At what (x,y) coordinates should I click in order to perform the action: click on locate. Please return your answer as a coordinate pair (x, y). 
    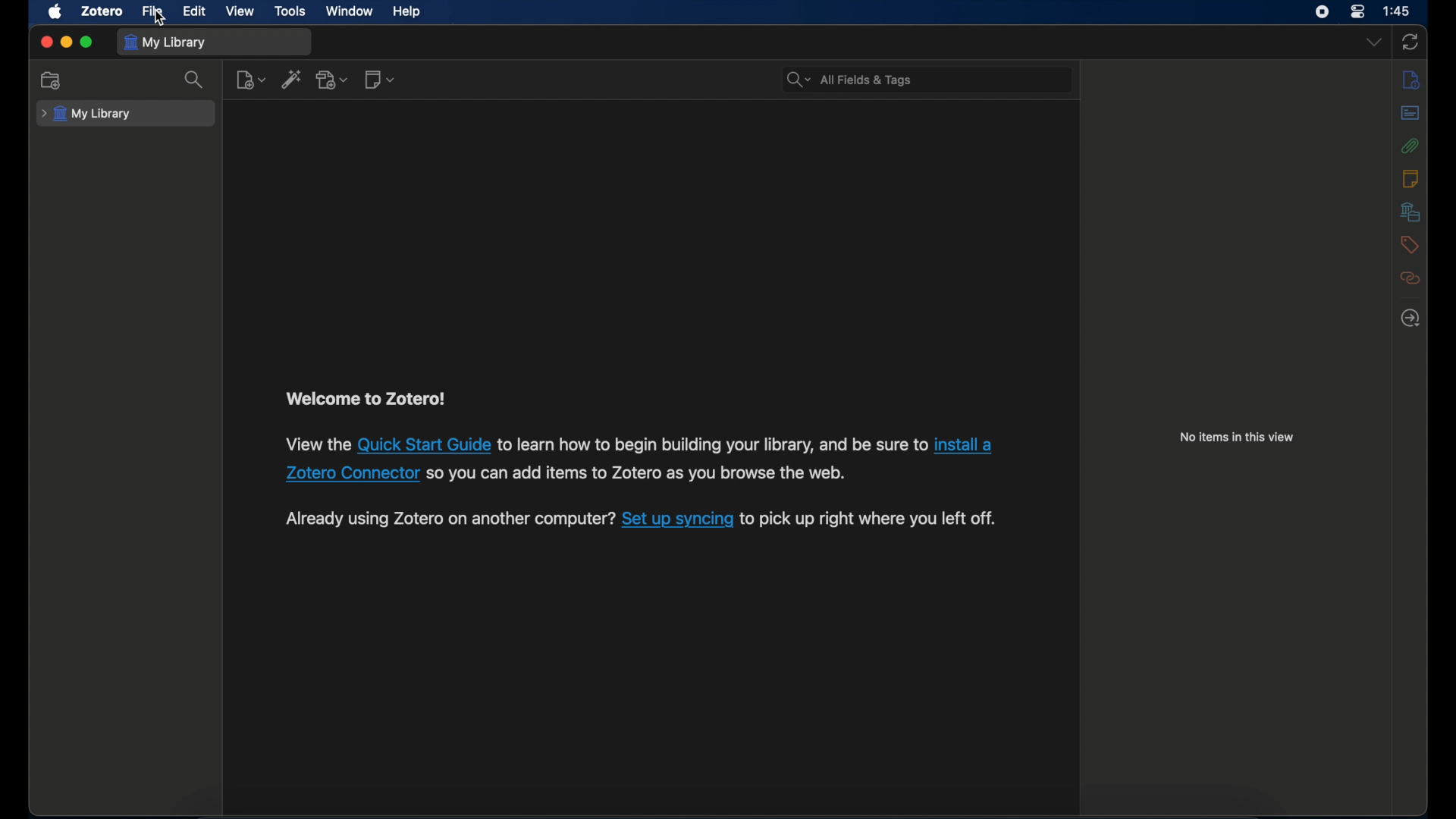
    Looking at the image, I should click on (1410, 318).